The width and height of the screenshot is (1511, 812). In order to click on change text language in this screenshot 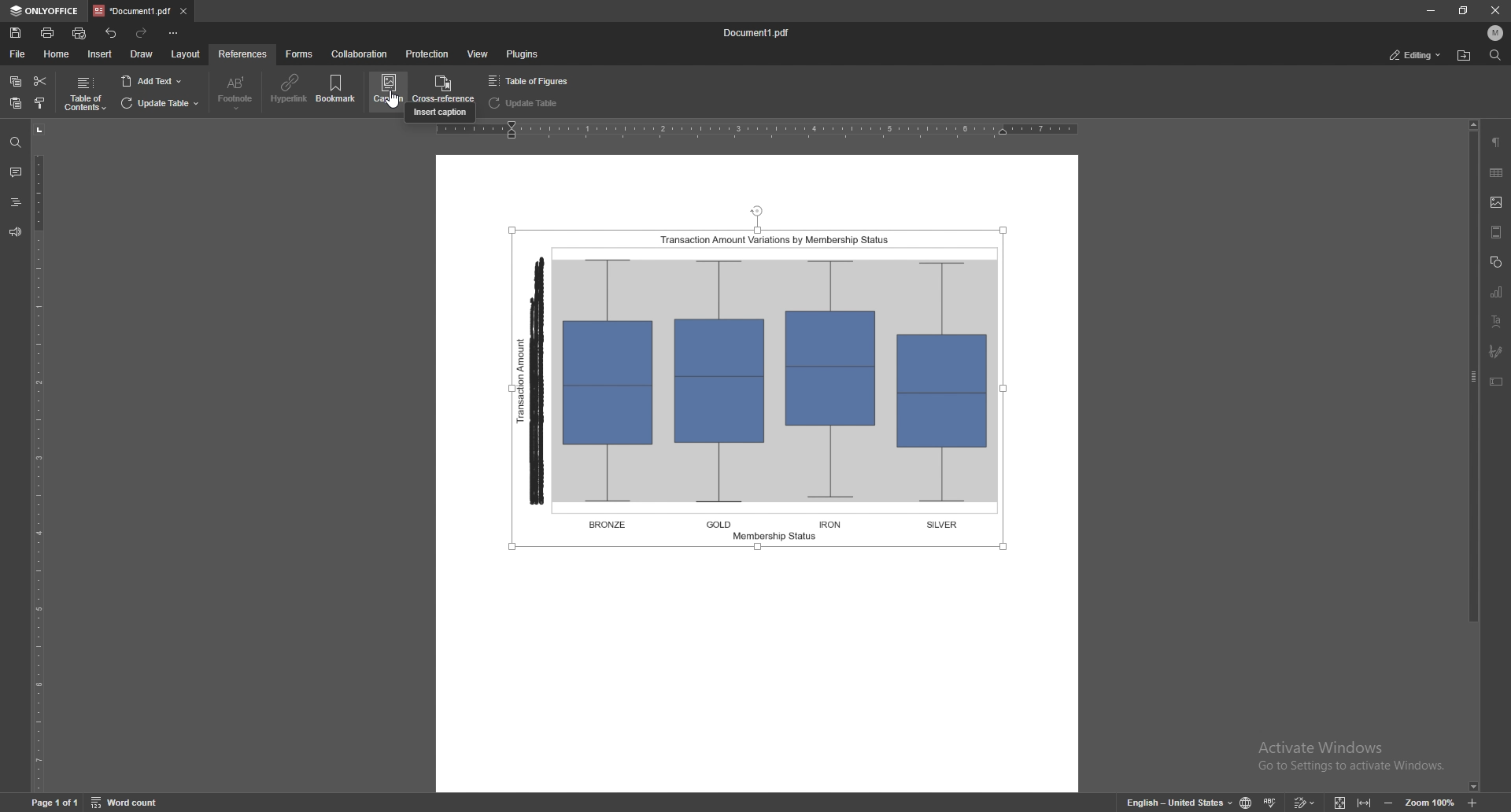, I will do `click(1178, 800)`.